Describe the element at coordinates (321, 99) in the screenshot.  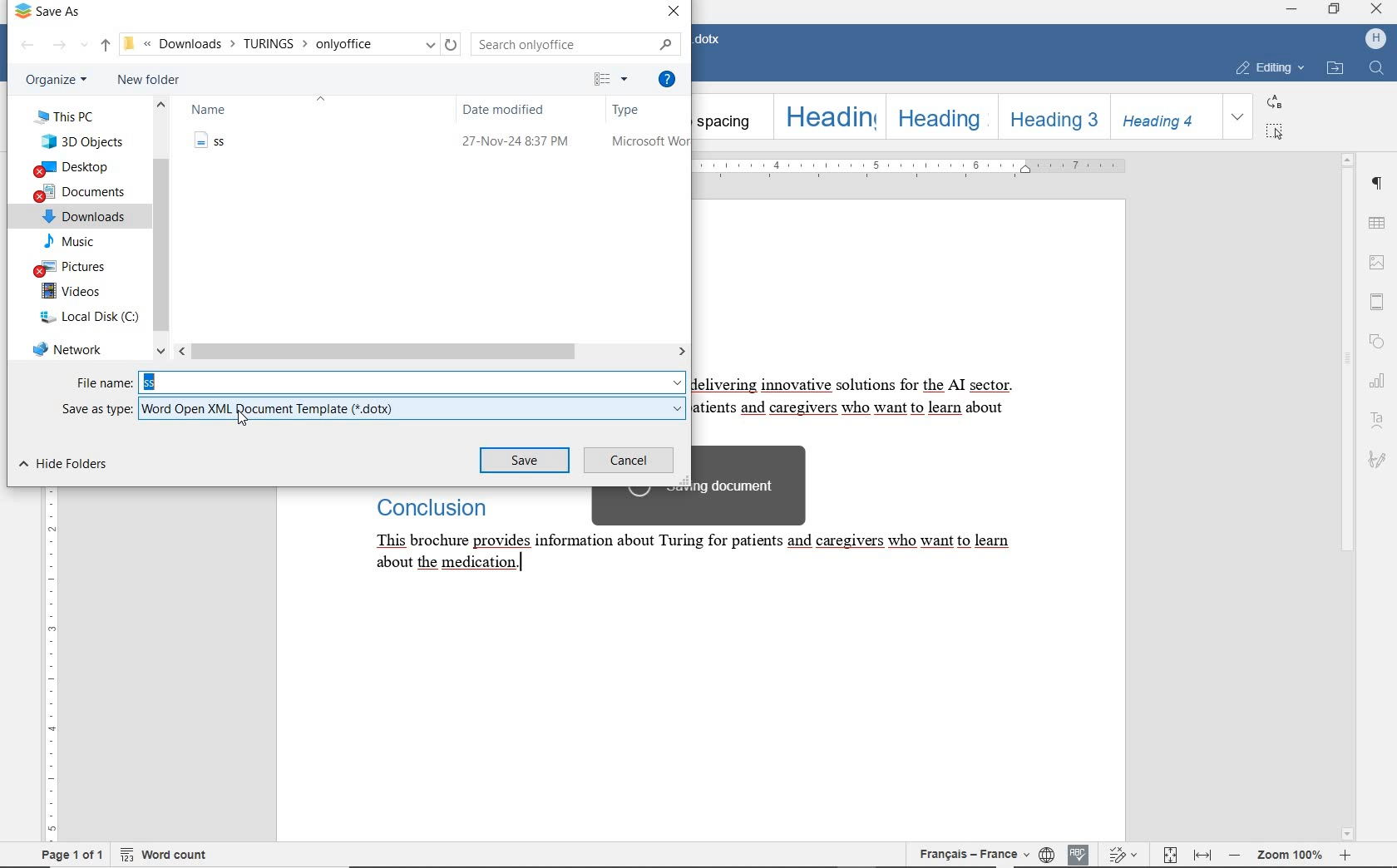
I see `collapse` at that location.